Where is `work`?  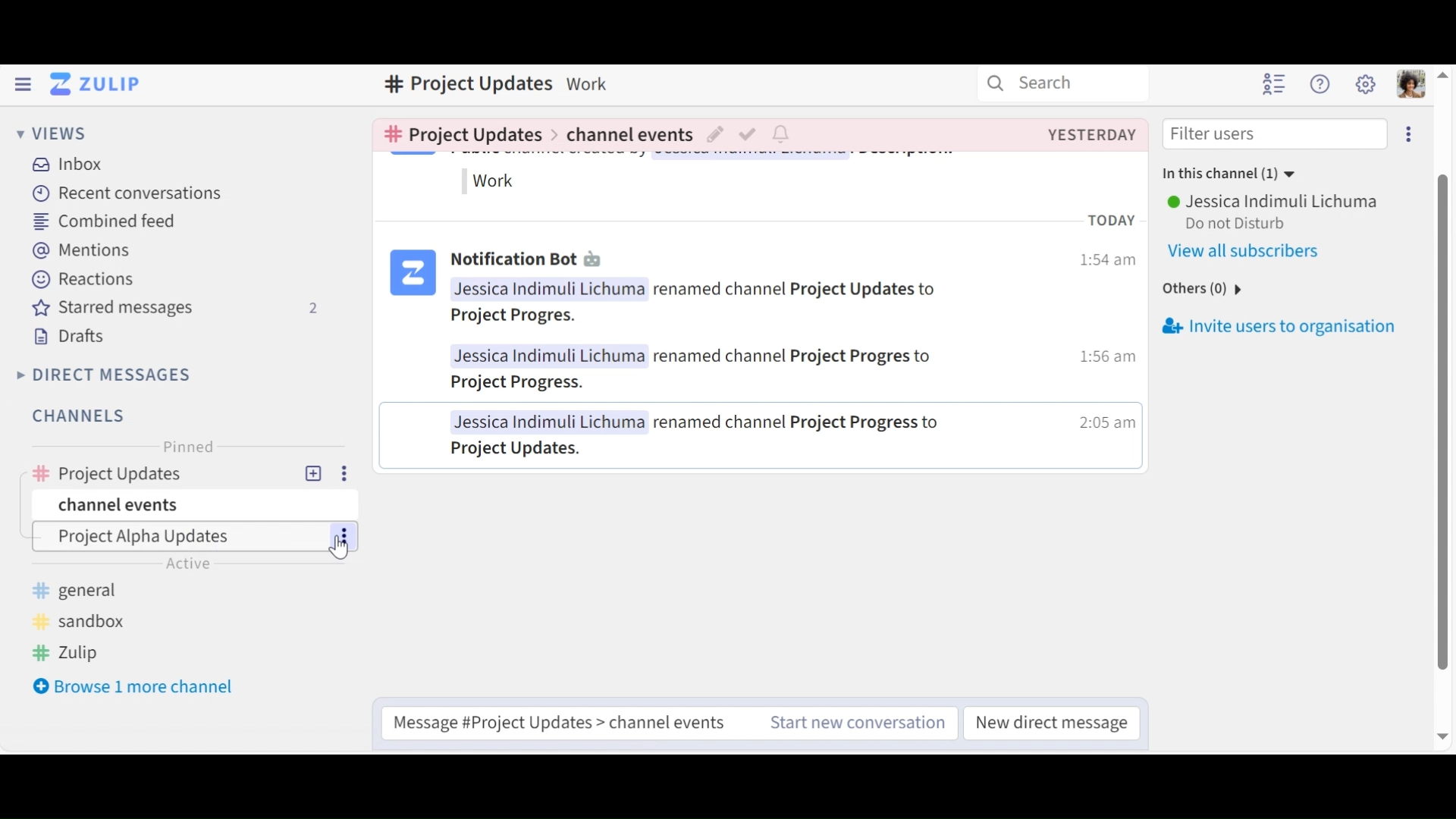 work is located at coordinates (496, 182).